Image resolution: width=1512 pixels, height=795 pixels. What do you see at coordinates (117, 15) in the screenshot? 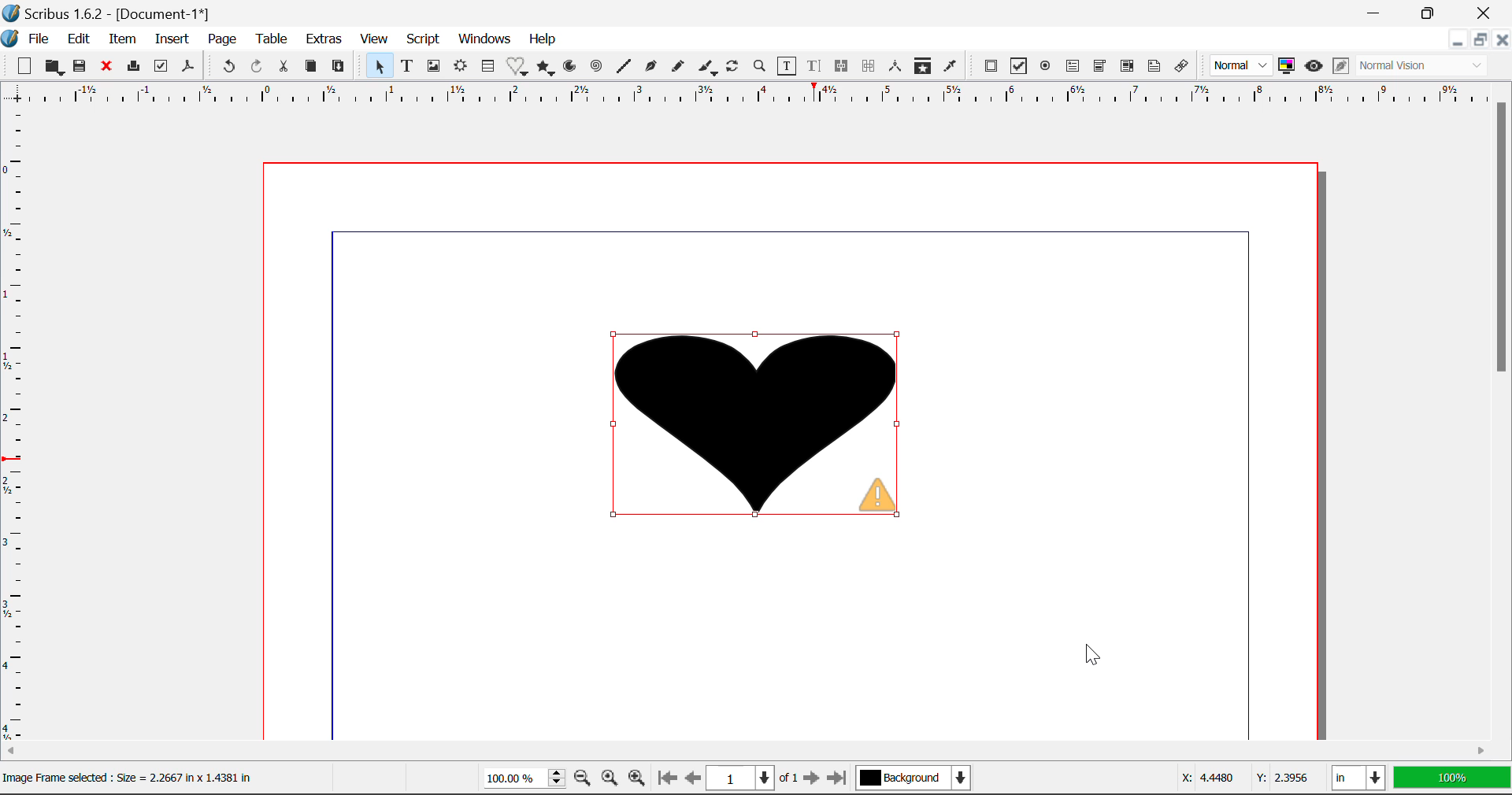
I see `Scribus 1.6.2 - [Document-1*]` at bounding box center [117, 15].